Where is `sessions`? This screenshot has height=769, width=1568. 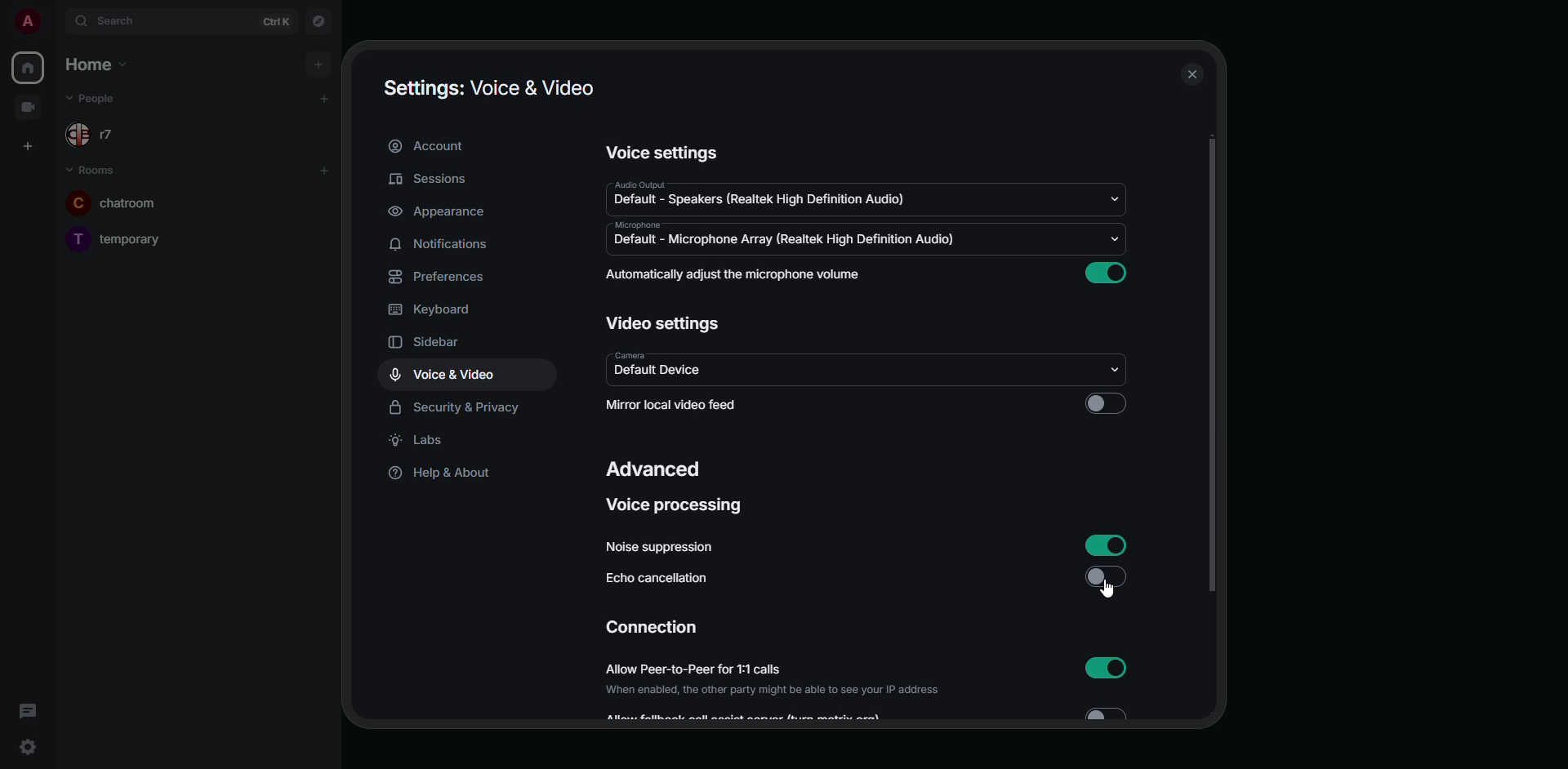 sessions is located at coordinates (436, 178).